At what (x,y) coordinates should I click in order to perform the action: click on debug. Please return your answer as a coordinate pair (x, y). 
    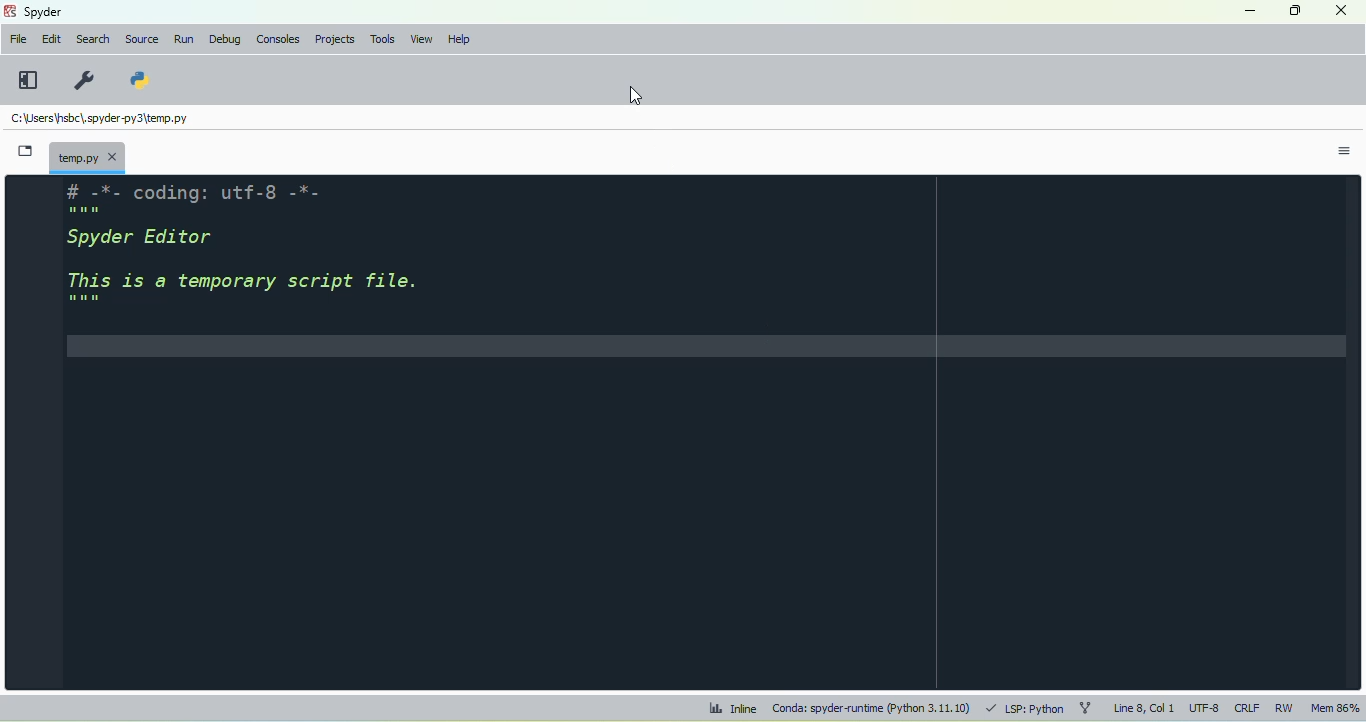
    Looking at the image, I should click on (226, 39).